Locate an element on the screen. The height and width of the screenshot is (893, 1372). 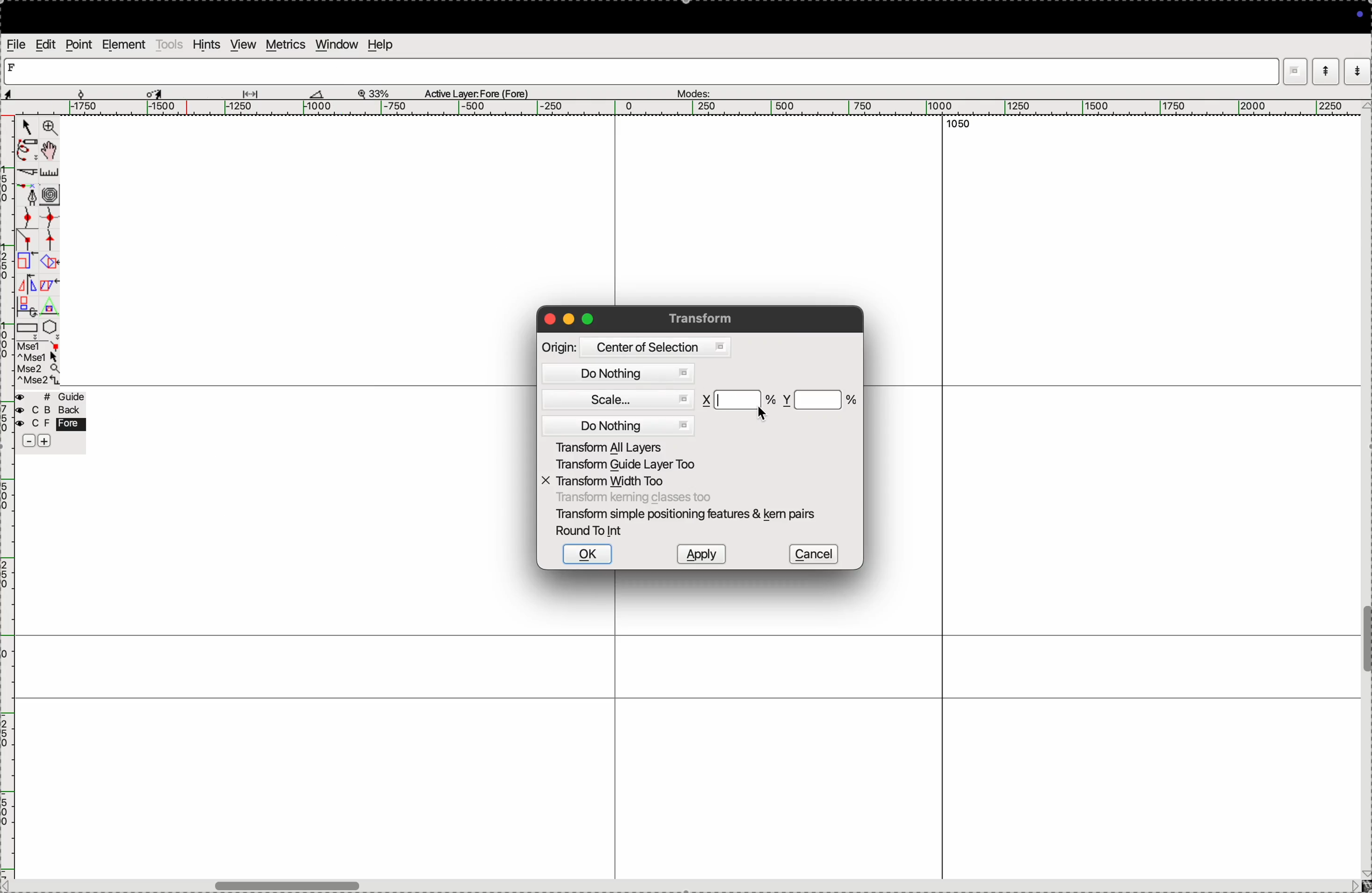
tools is located at coordinates (169, 44).